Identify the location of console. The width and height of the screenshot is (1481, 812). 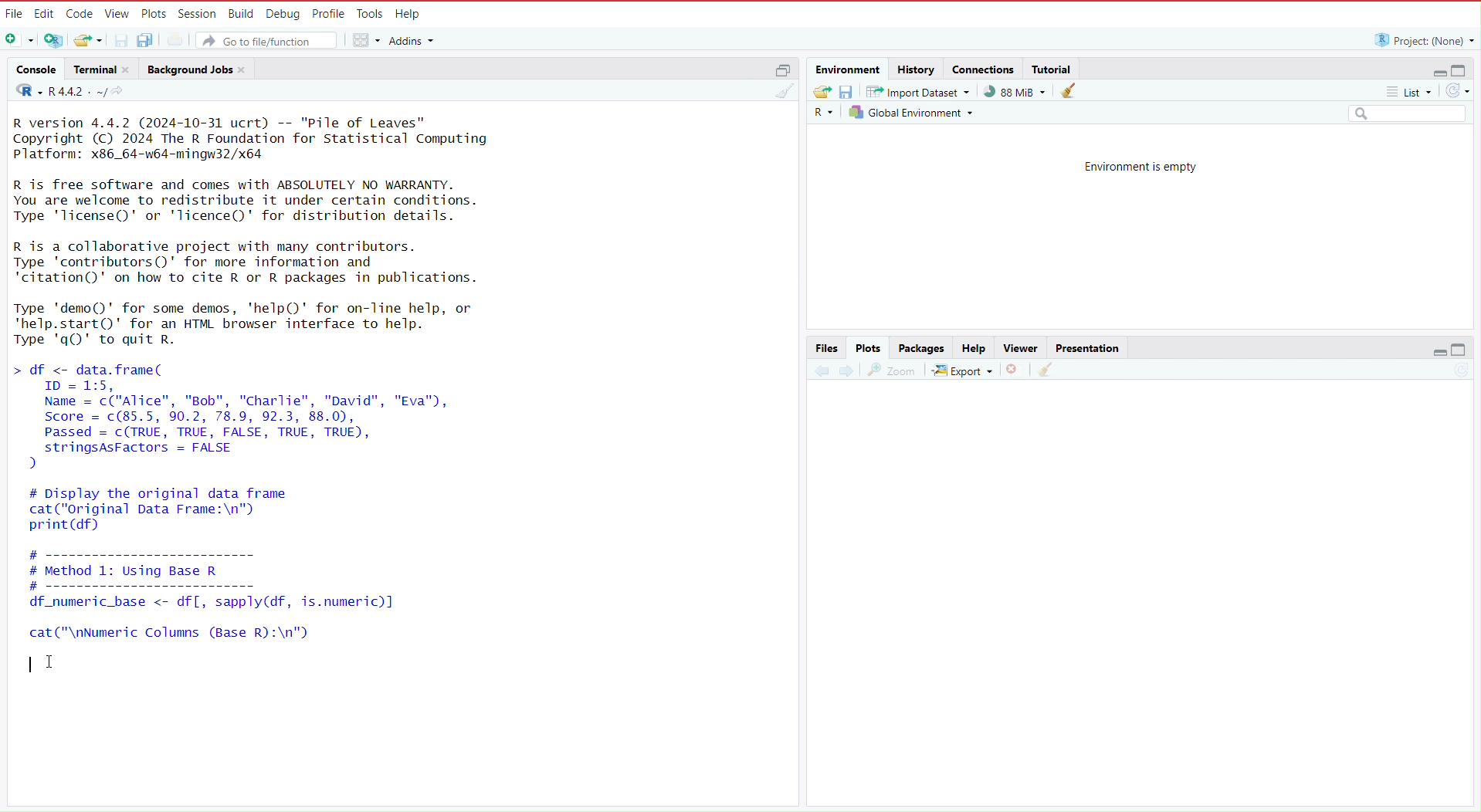
(32, 67).